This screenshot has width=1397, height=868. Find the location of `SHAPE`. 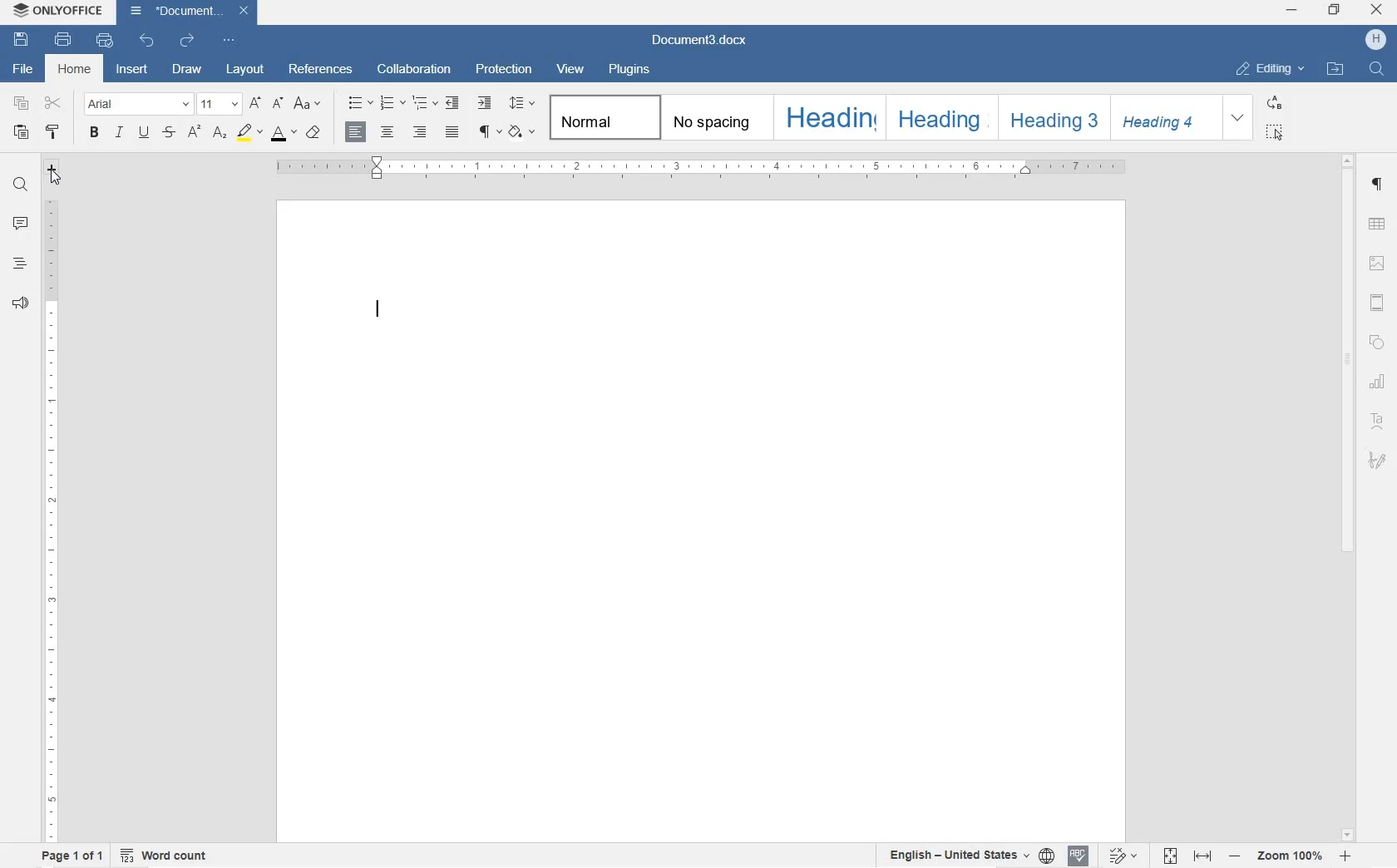

SHAPE is located at coordinates (1375, 344).